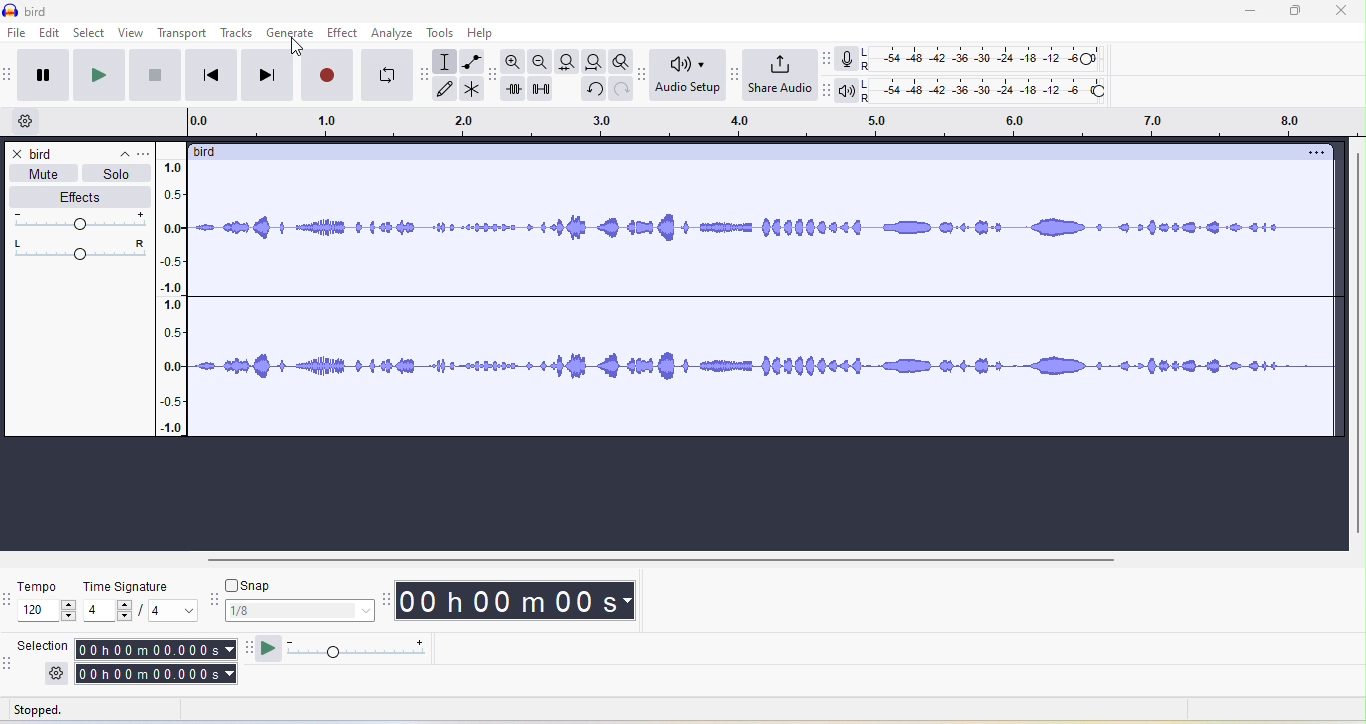 The width and height of the screenshot is (1366, 724). I want to click on help, so click(491, 35).